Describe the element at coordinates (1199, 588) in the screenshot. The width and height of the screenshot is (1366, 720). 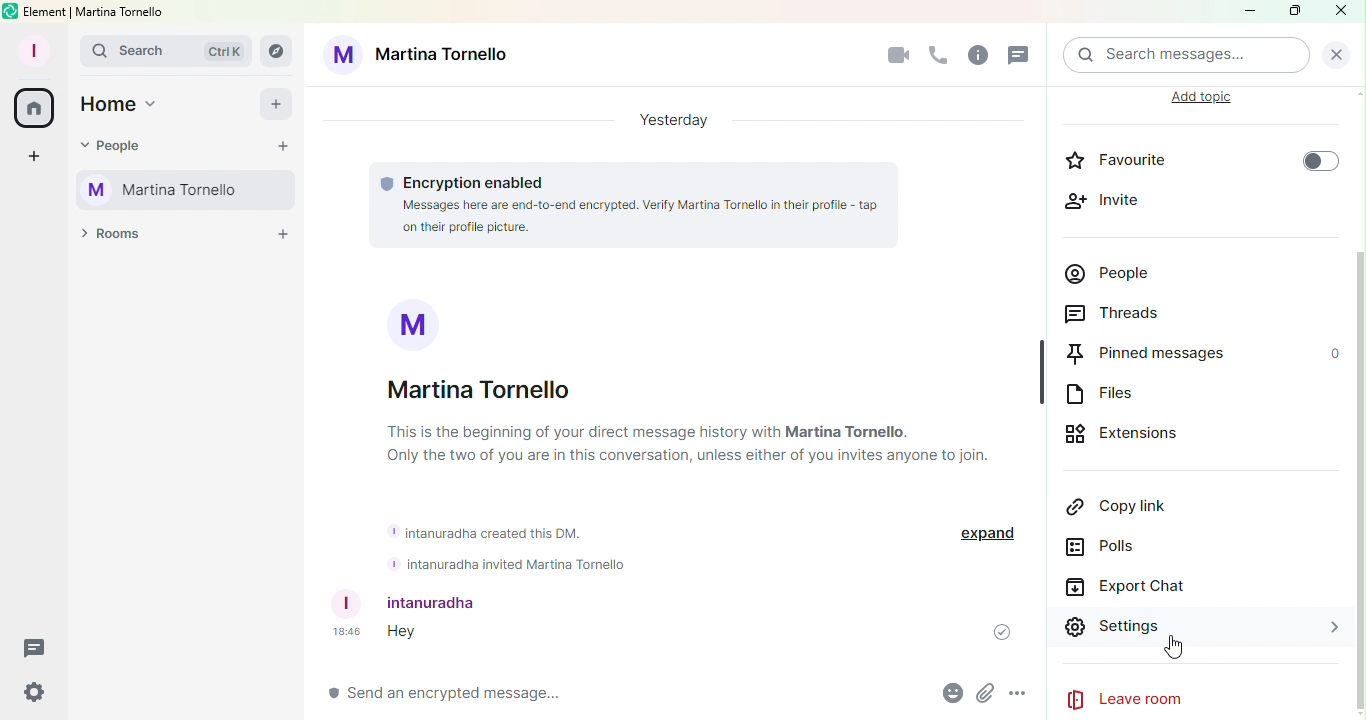
I see `Export Chat` at that location.